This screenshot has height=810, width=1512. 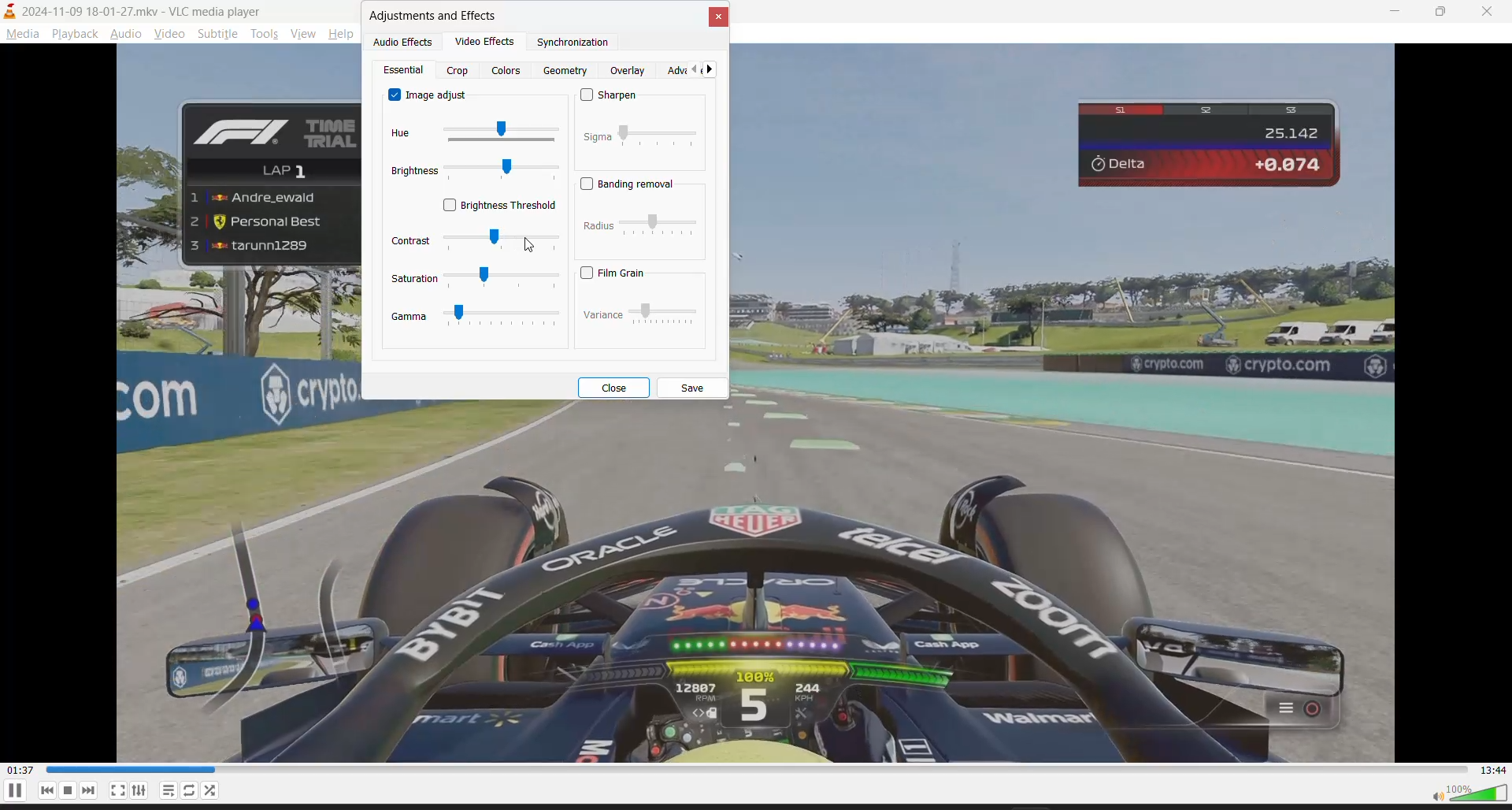 What do you see at coordinates (639, 229) in the screenshot?
I see `radius` at bounding box center [639, 229].